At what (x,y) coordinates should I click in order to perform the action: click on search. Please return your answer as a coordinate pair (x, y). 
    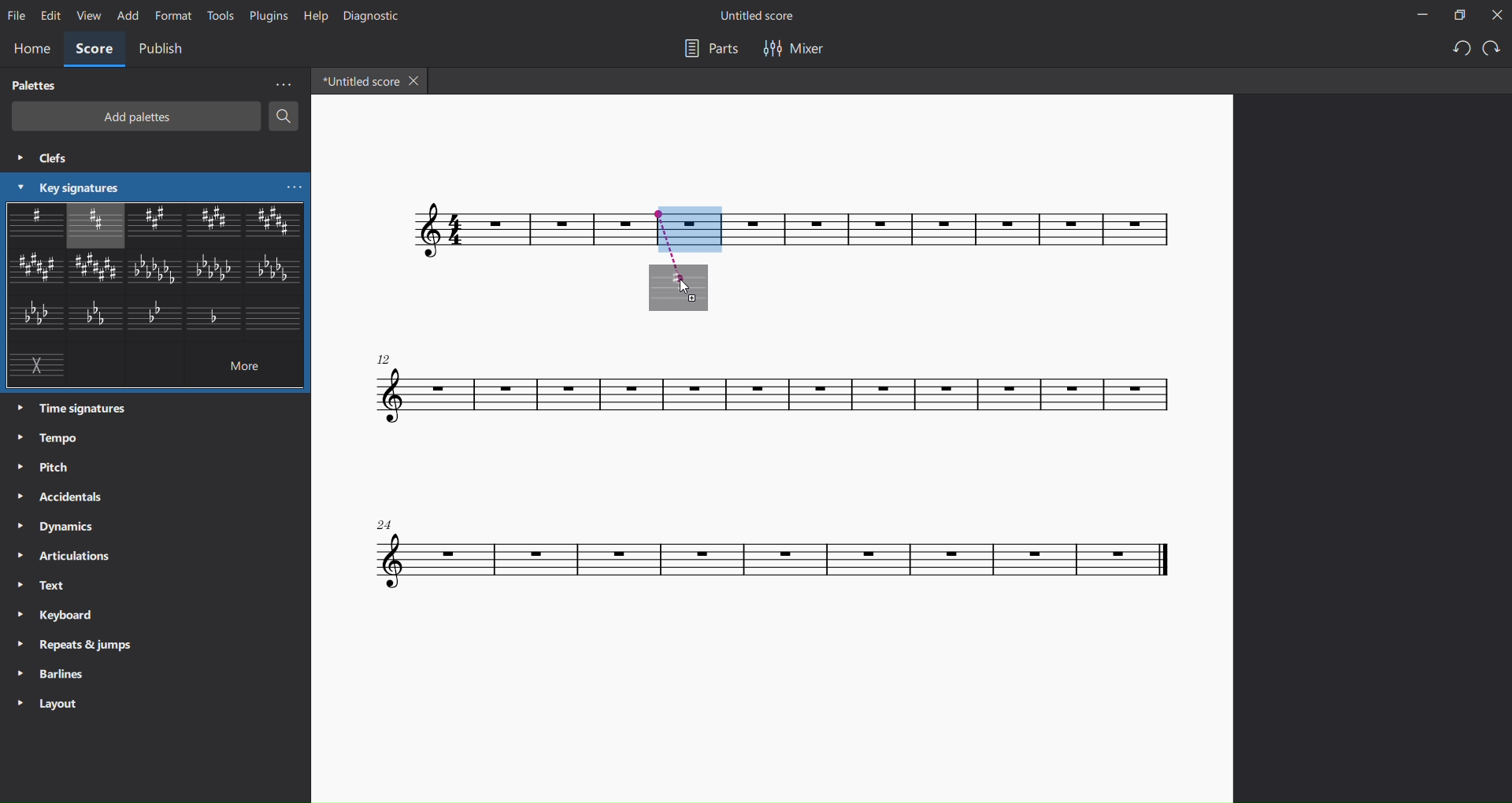
    Looking at the image, I should click on (283, 115).